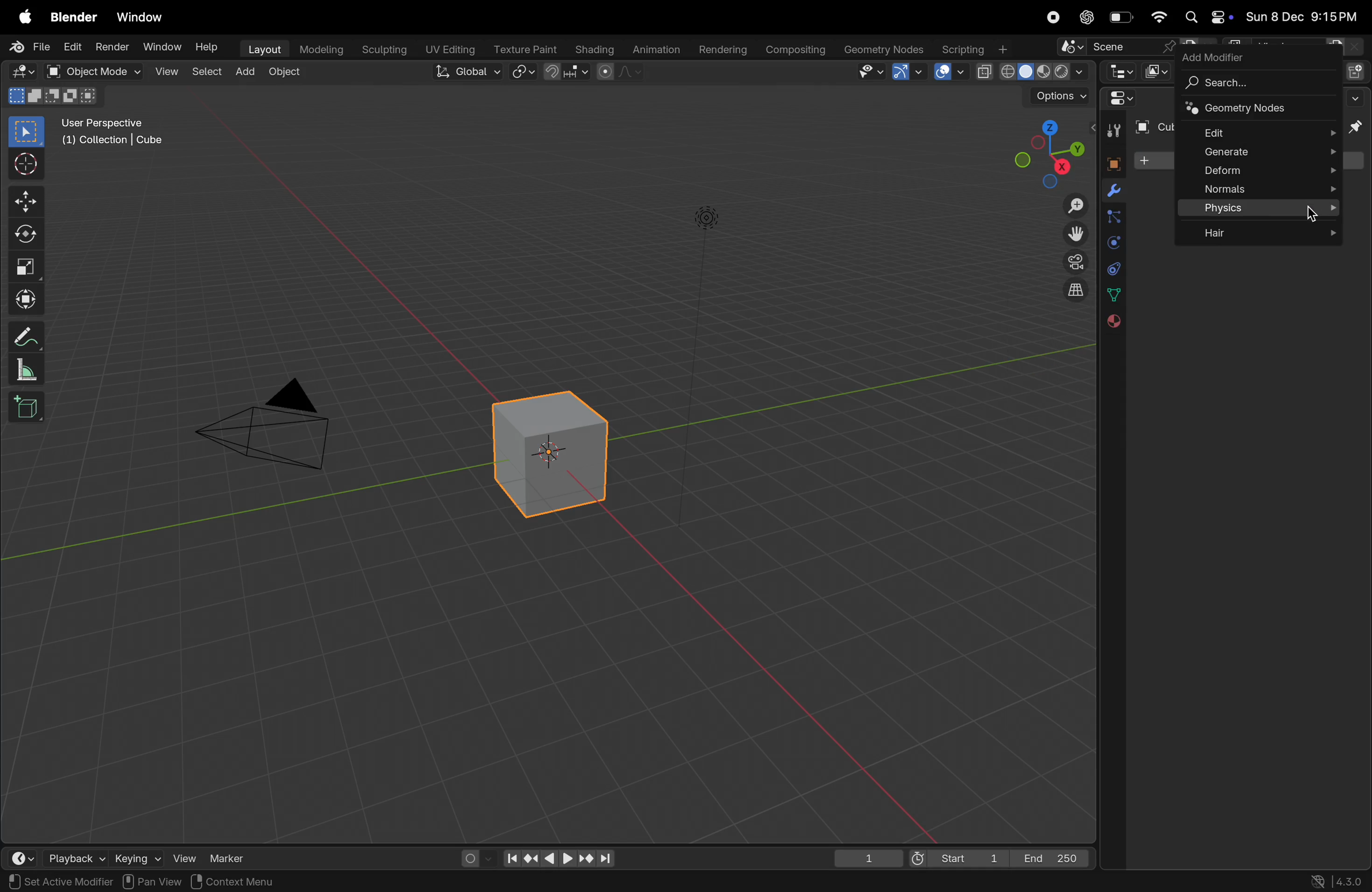  What do you see at coordinates (209, 71) in the screenshot?
I see `select` at bounding box center [209, 71].